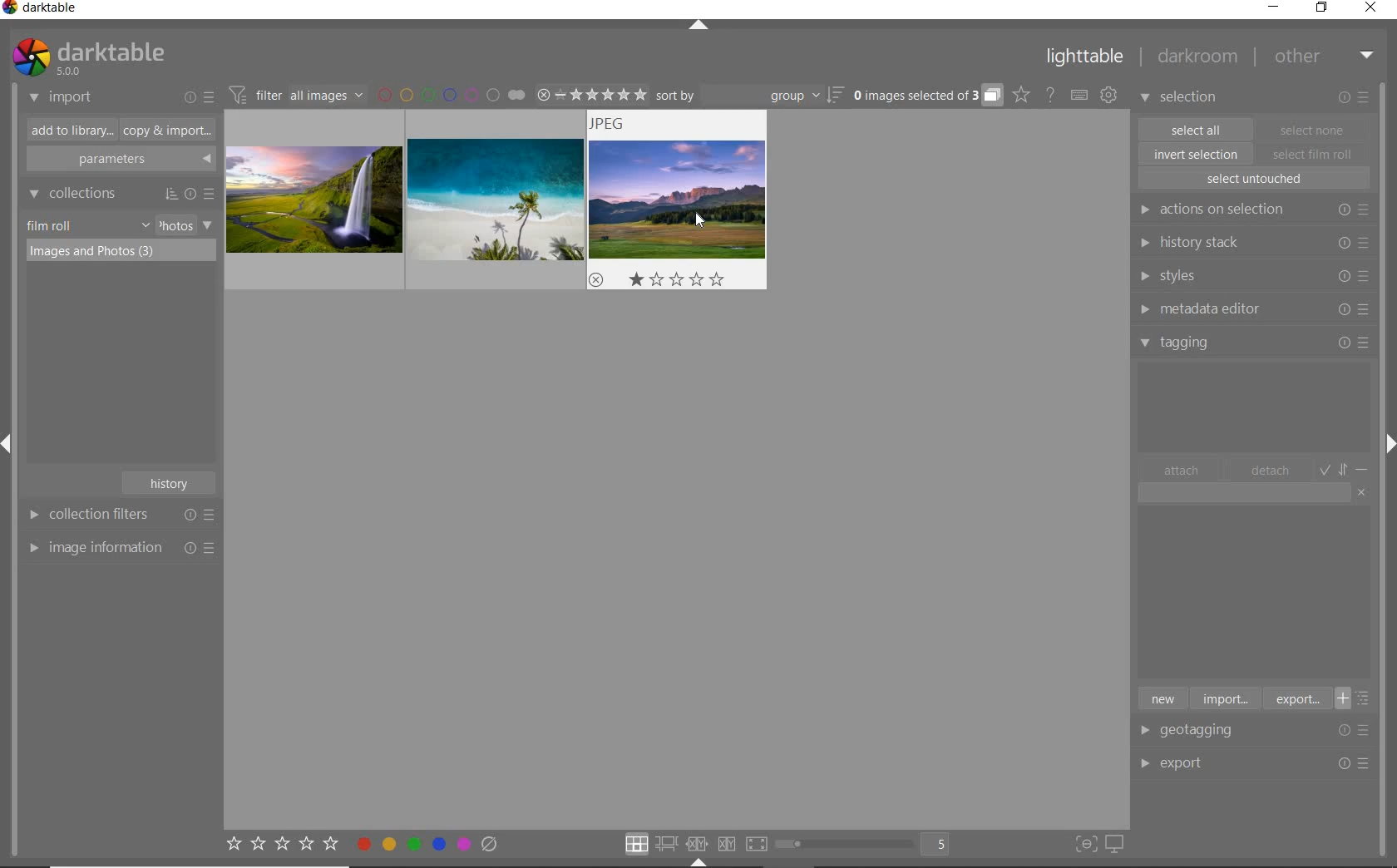 The image size is (1397, 868). Describe the element at coordinates (1355, 764) in the screenshot. I see `Options` at that location.